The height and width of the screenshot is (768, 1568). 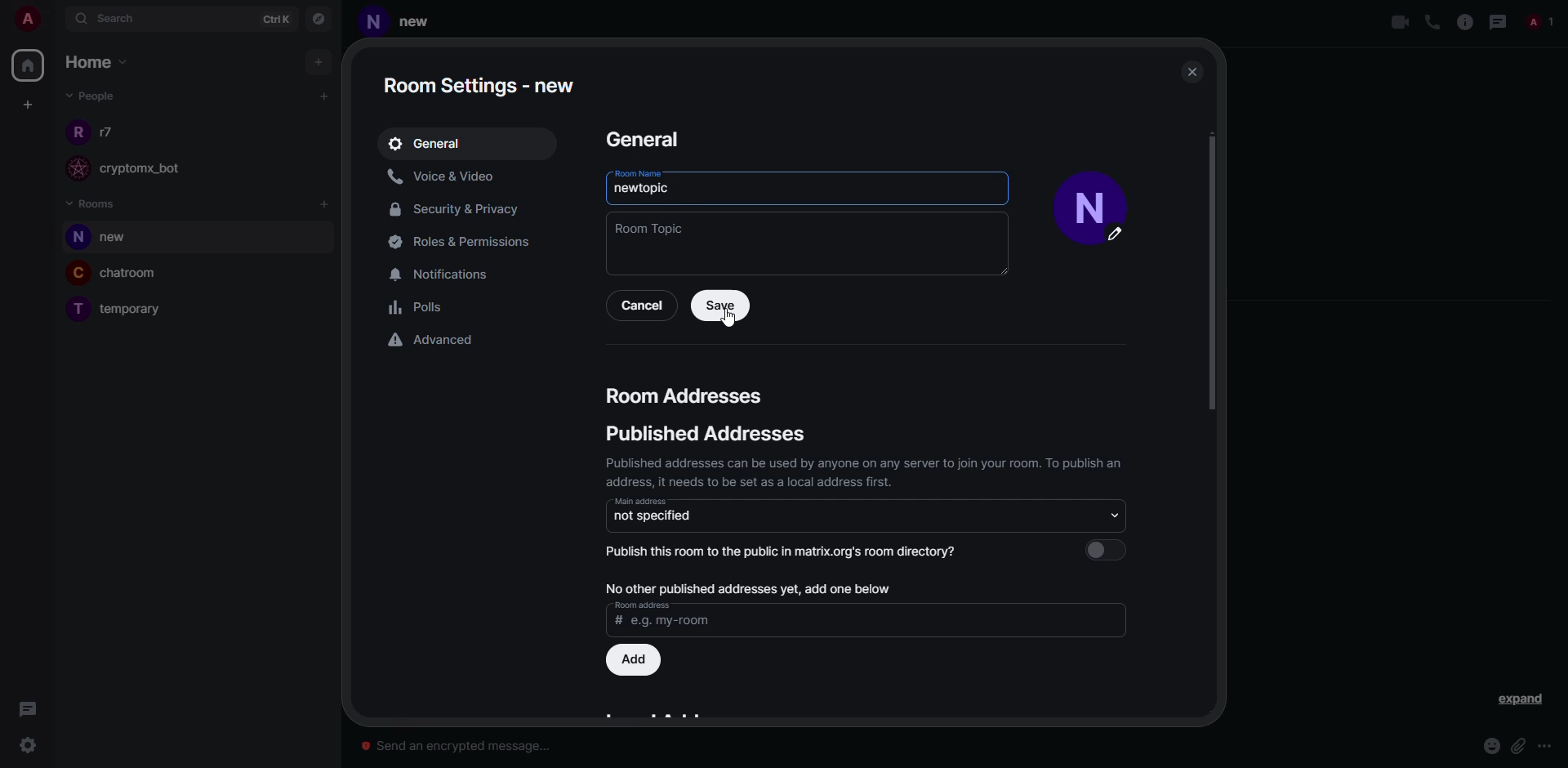 What do you see at coordinates (268, 19) in the screenshot?
I see `ctrlK` at bounding box center [268, 19].